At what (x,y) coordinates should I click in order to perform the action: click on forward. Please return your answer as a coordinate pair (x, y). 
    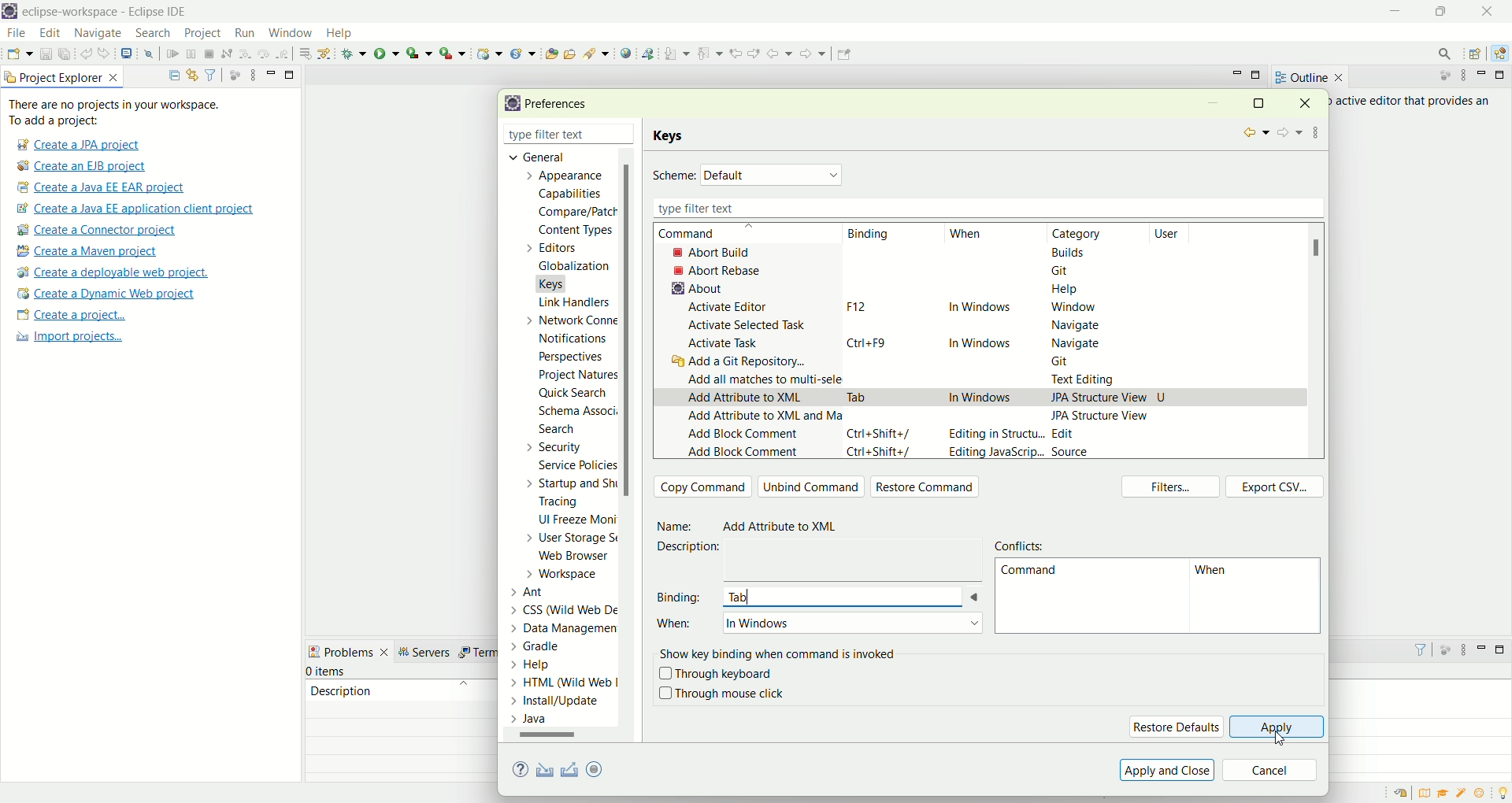
    Looking at the image, I should click on (1288, 134).